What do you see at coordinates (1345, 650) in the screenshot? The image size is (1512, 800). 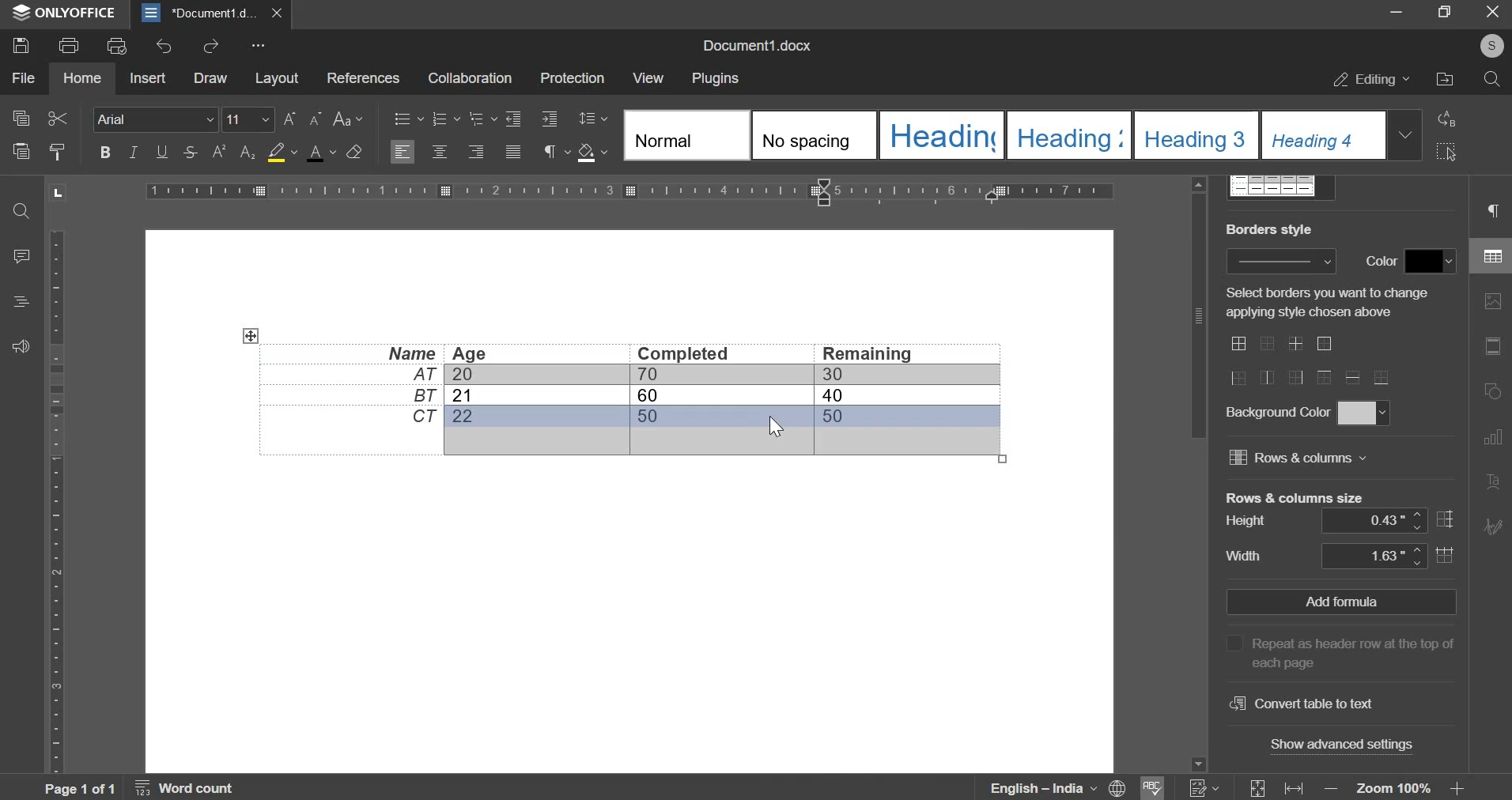 I see `Repeat as header row at the top of each page` at bounding box center [1345, 650].